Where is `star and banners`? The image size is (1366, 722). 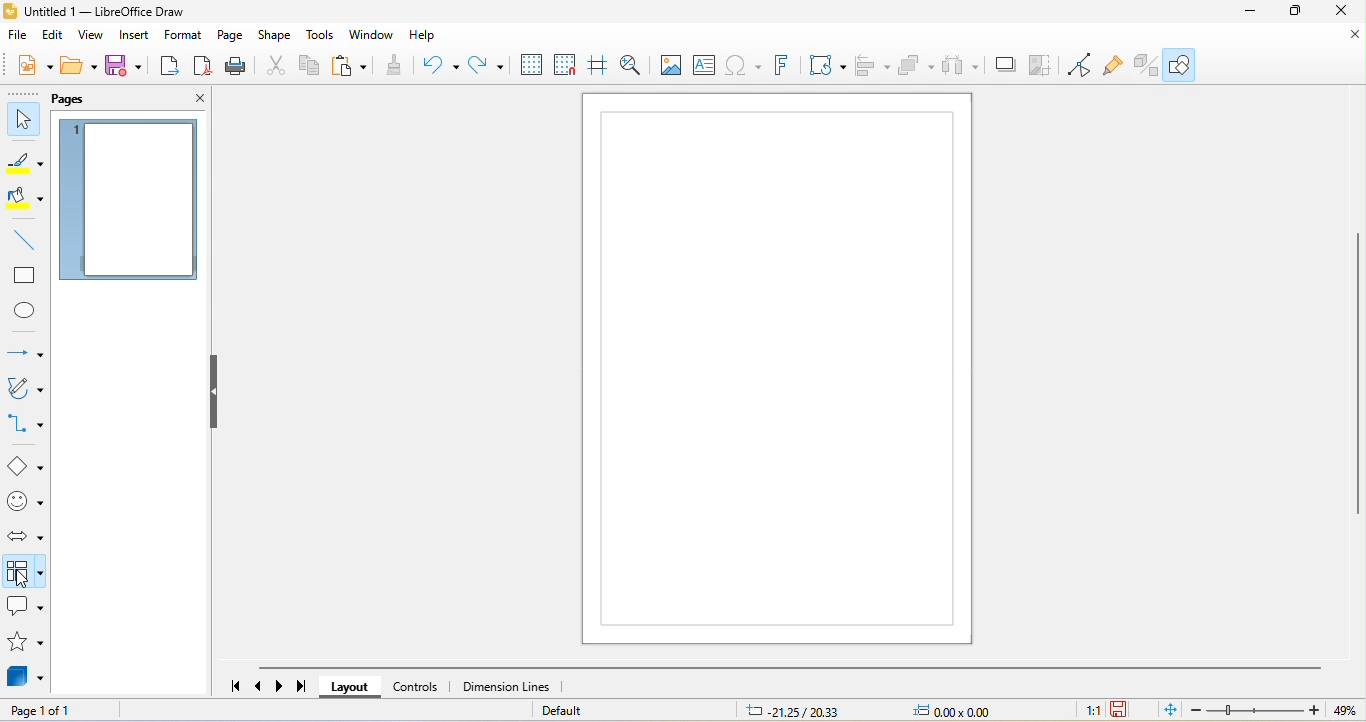
star and banners is located at coordinates (27, 644).